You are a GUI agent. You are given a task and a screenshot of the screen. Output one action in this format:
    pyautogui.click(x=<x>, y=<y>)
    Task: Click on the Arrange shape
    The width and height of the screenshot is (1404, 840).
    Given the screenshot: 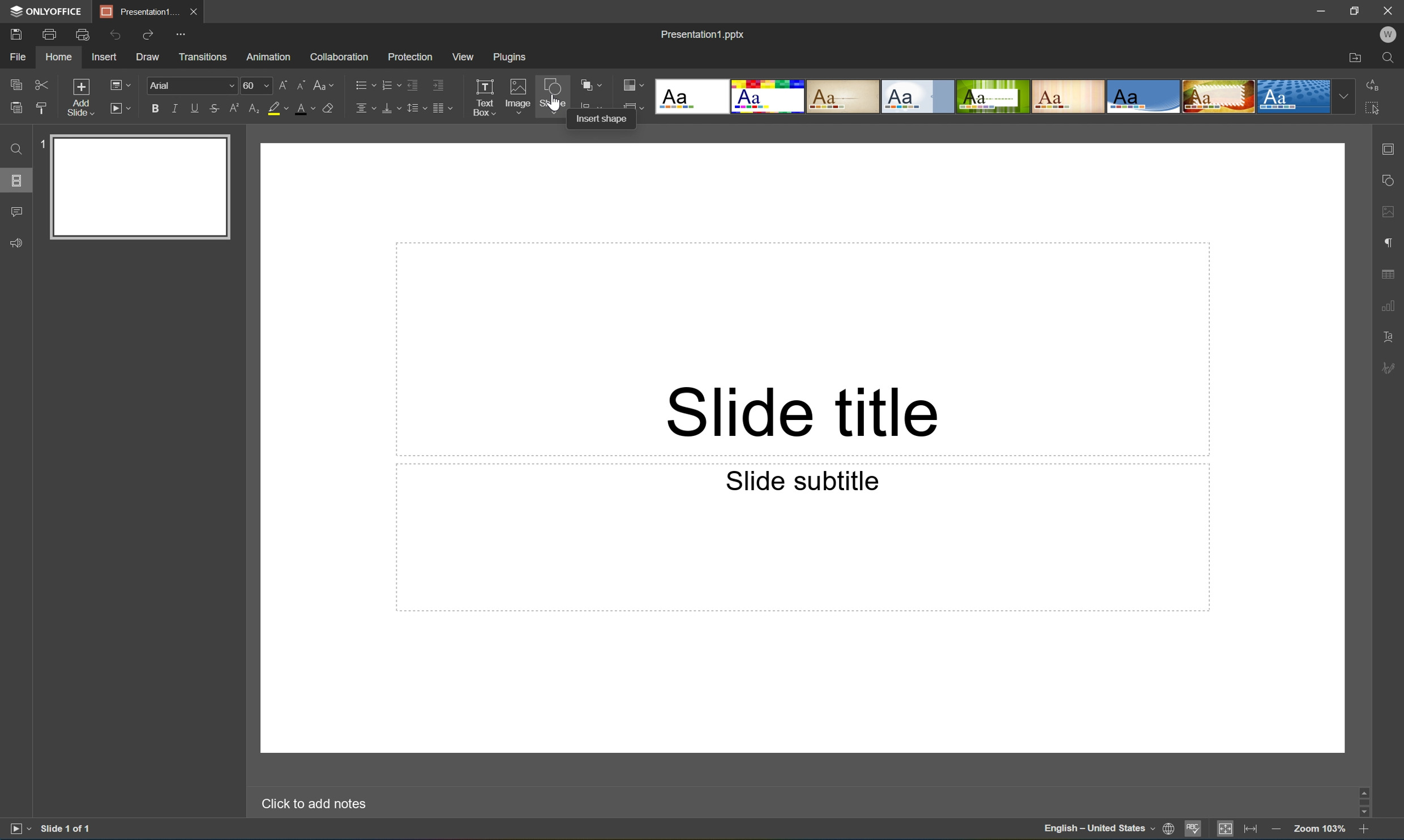 What is the action you would take?
    pyautogui.click(x=590, y=86)
    